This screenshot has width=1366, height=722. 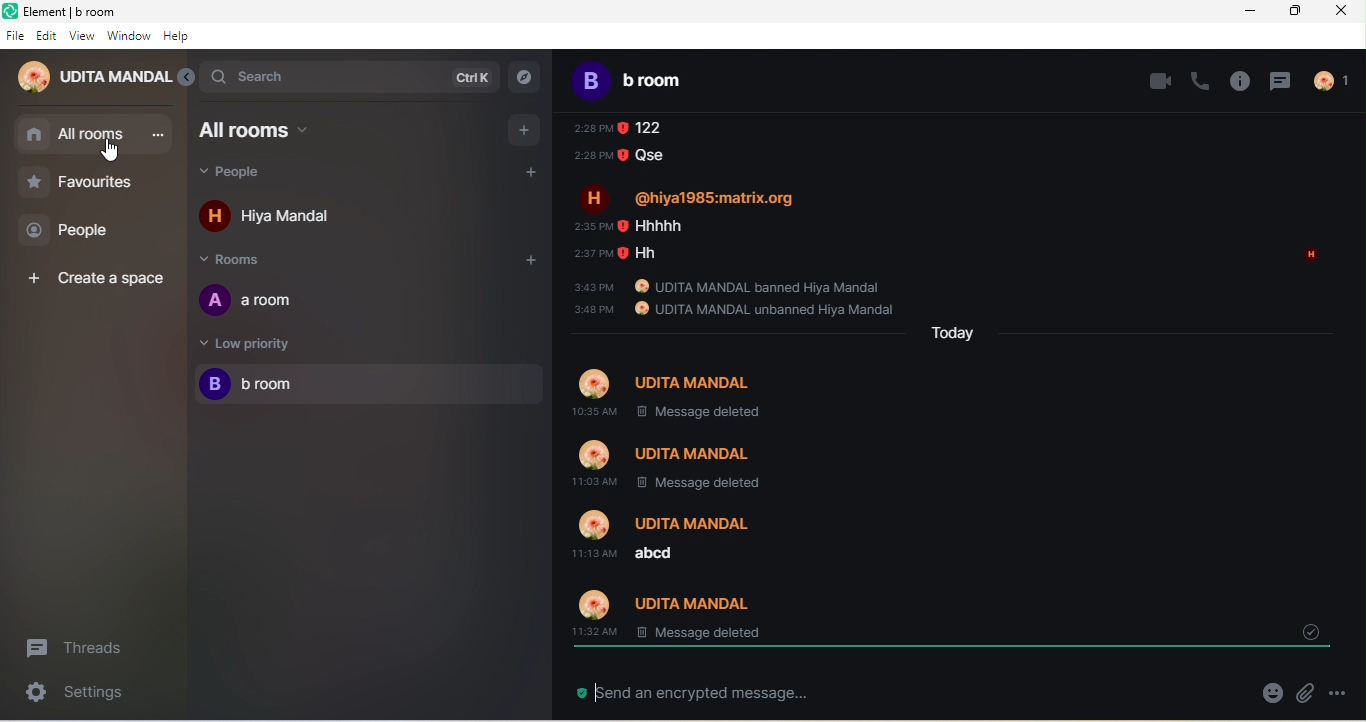 I want to click on older message, so click(x=888, y=380).